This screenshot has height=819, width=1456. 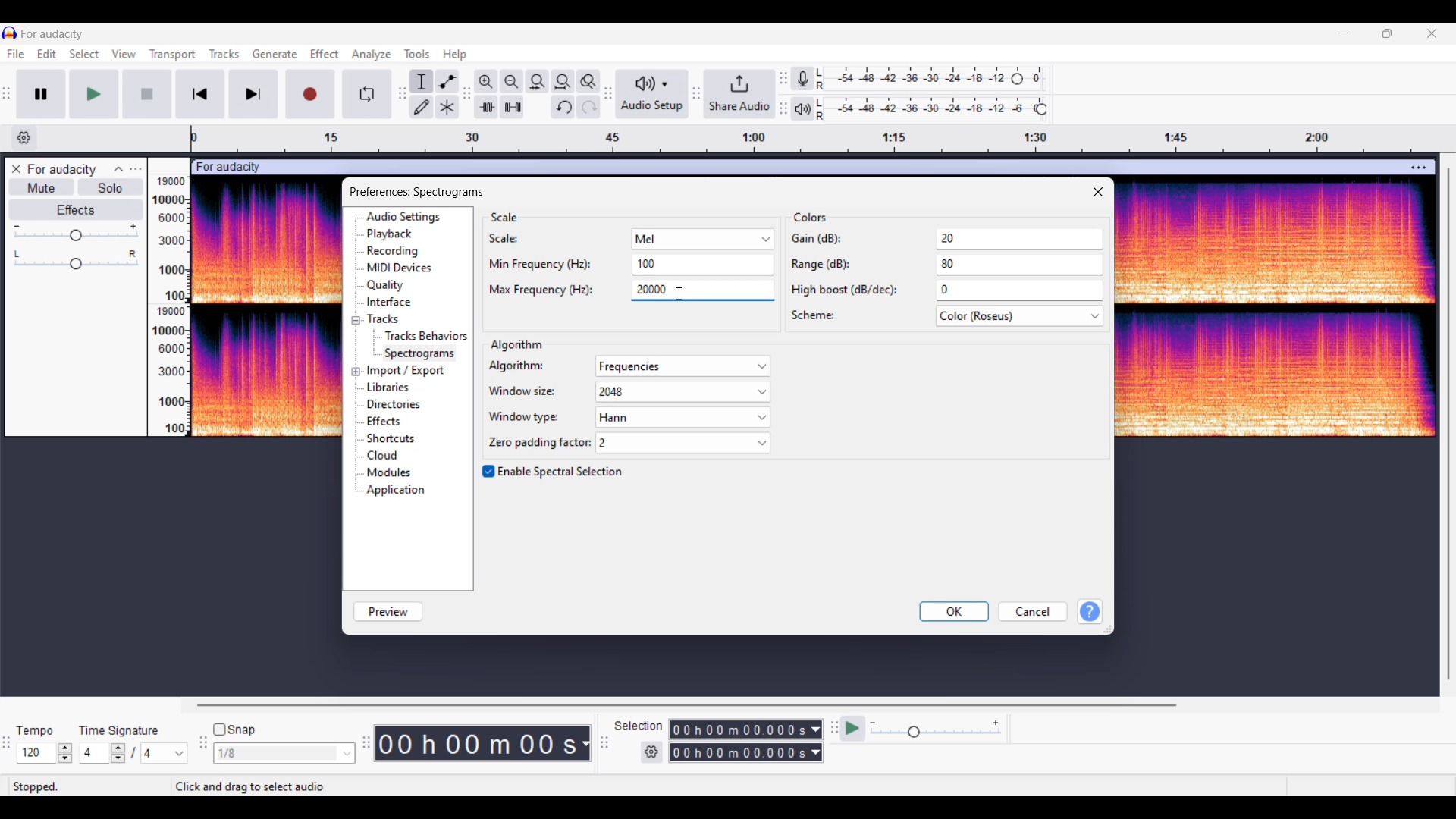 I want to click on audio settings, so click(x=409, y=218).